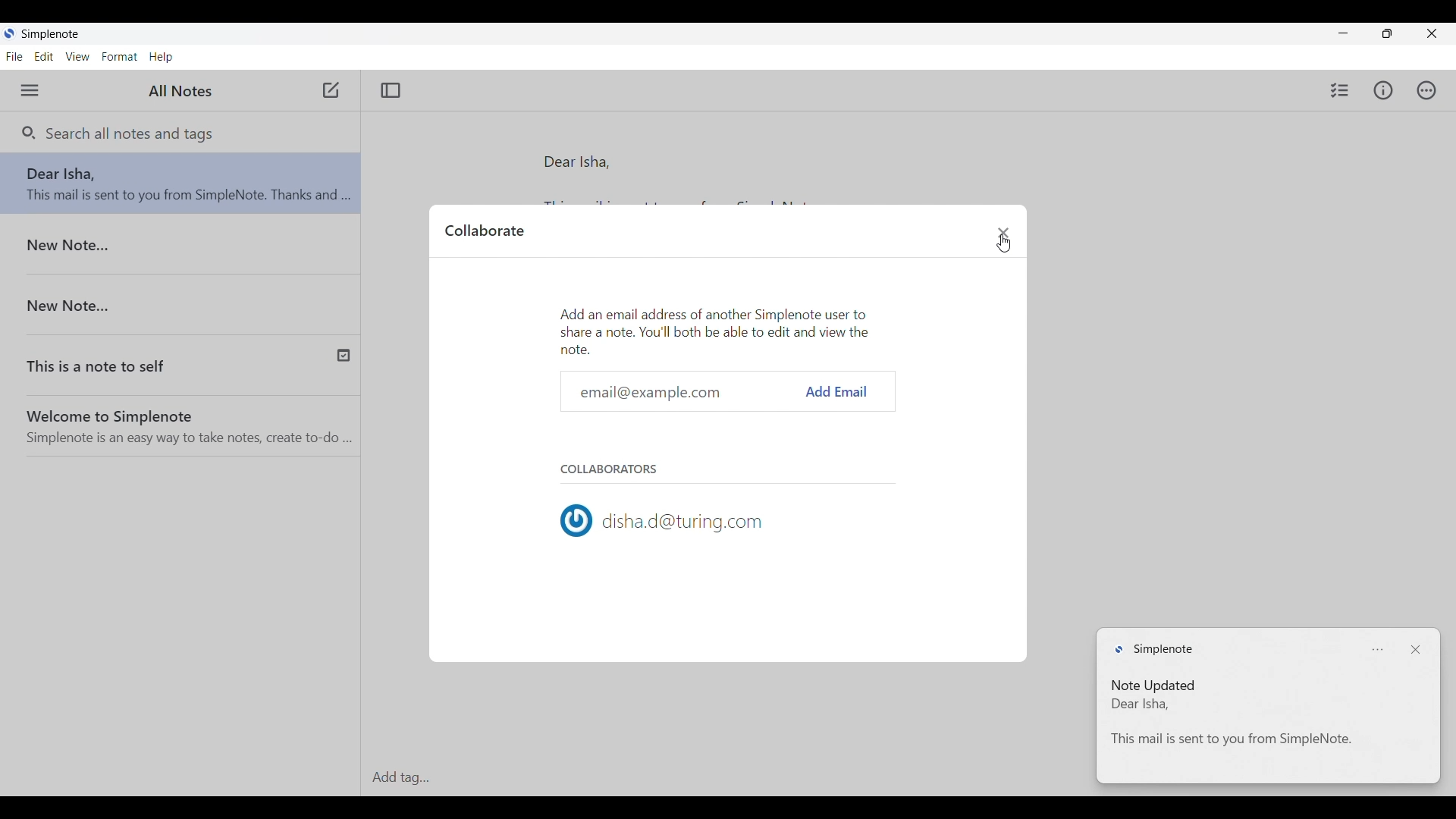  What do you see at coordinates (484, 230) in the screenshot?
I see `Collaborate` at bounding box center [484, 230].